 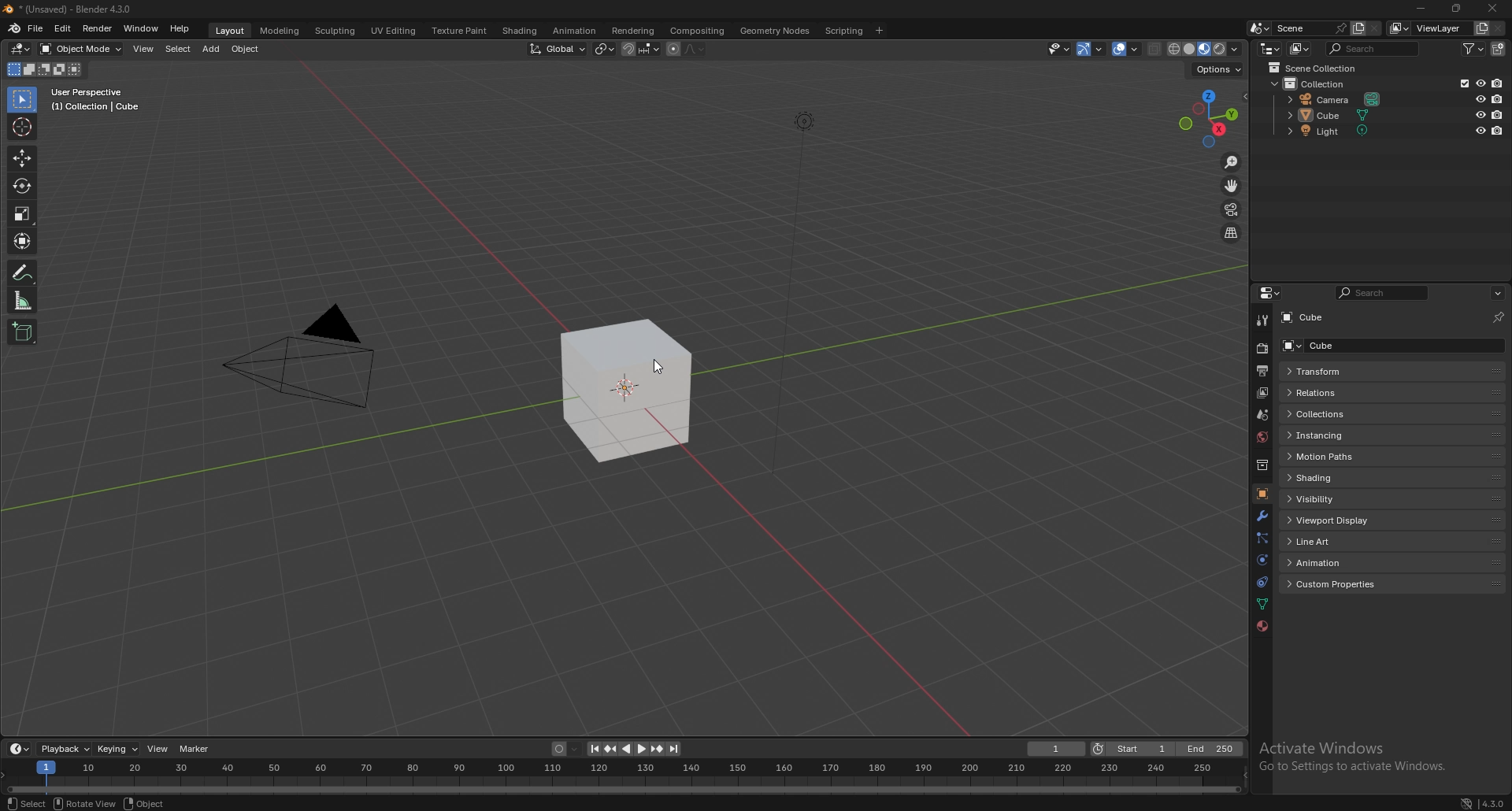 I want to click on add cube, so click(x=22, y=331).